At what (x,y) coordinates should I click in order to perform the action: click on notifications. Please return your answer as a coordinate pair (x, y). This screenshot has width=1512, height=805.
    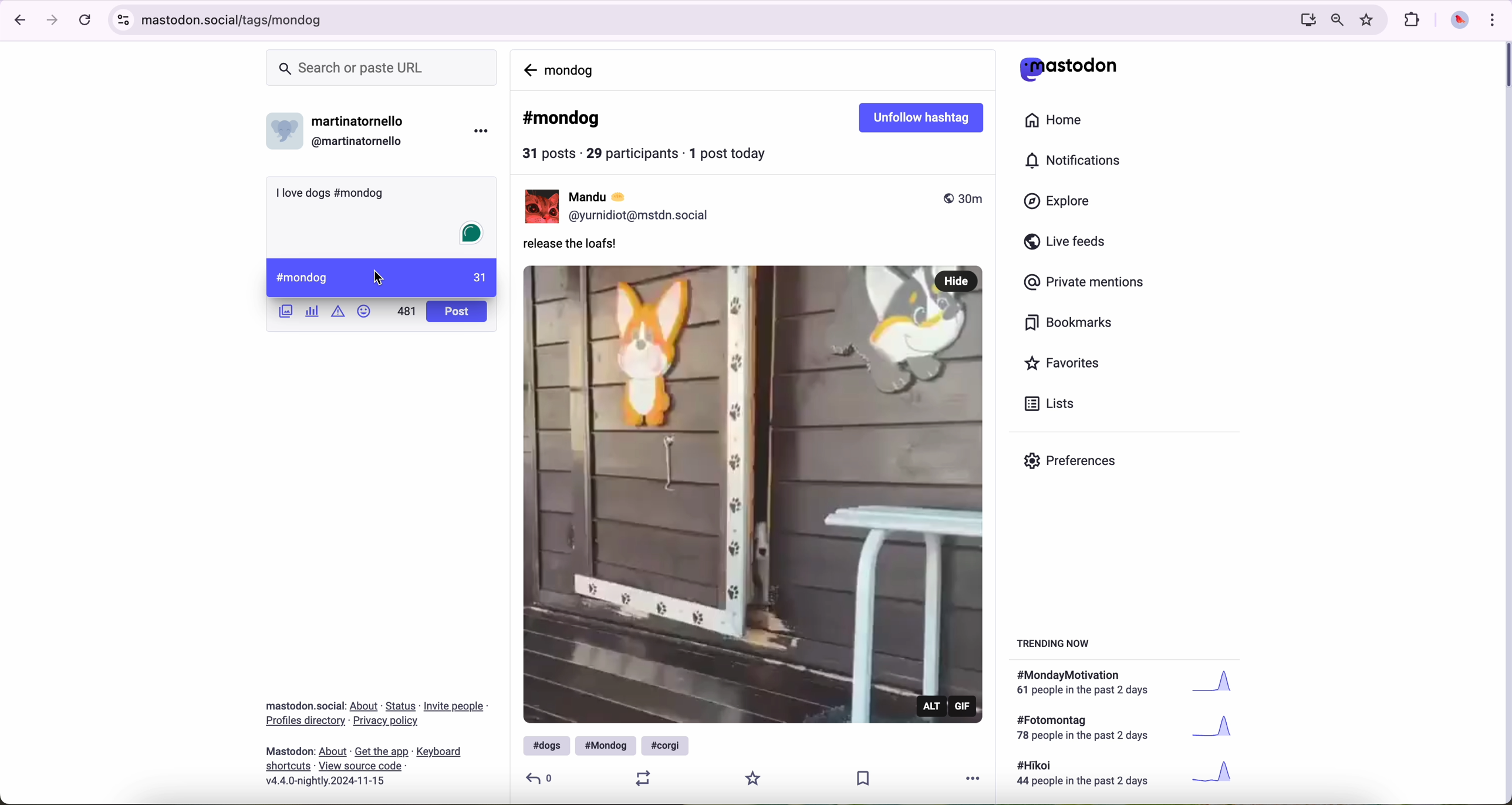
    Looking at the image, I should click on (1077, 161).